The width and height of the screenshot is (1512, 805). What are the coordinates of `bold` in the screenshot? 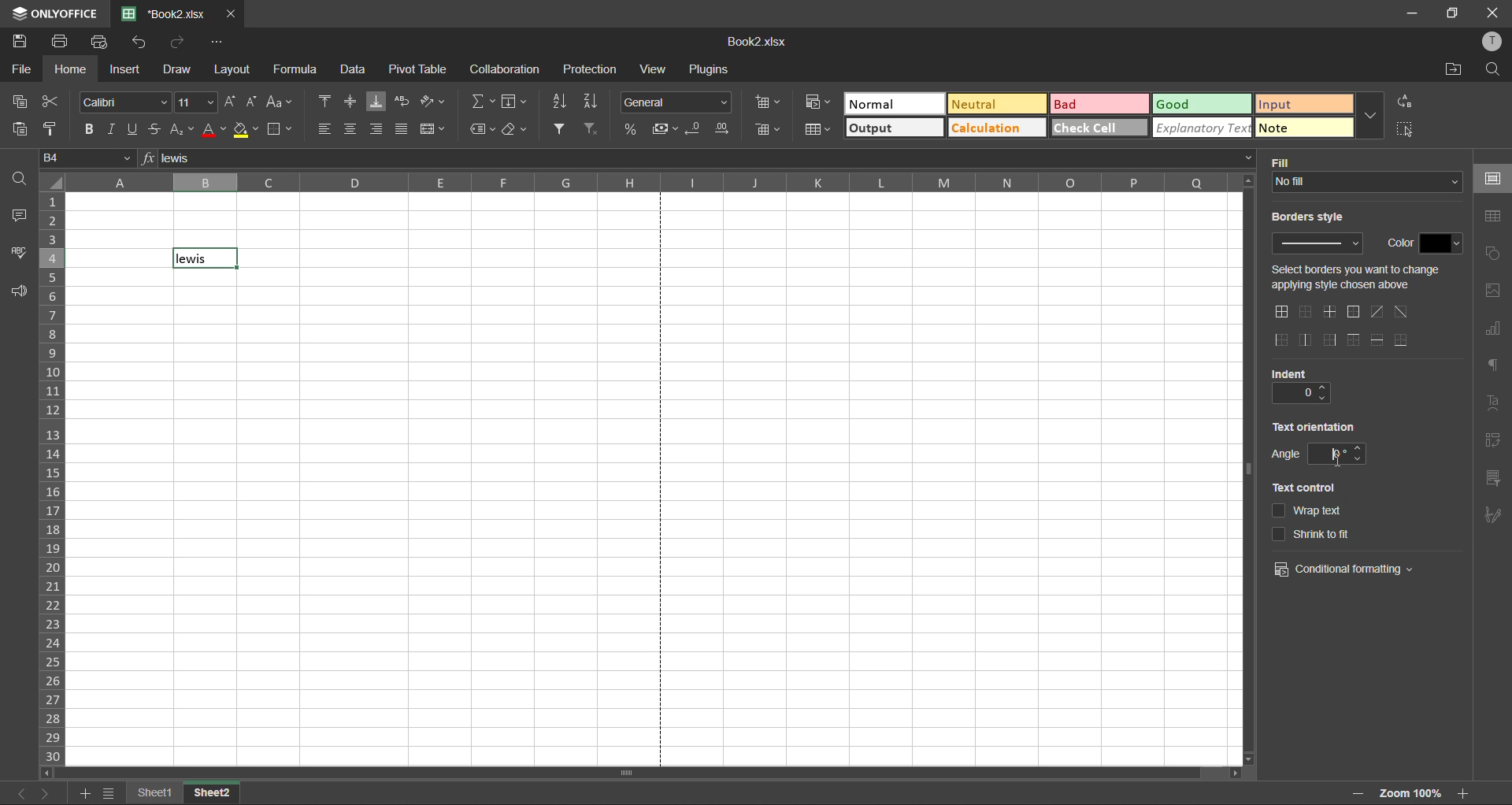 It's located at (85, 131).